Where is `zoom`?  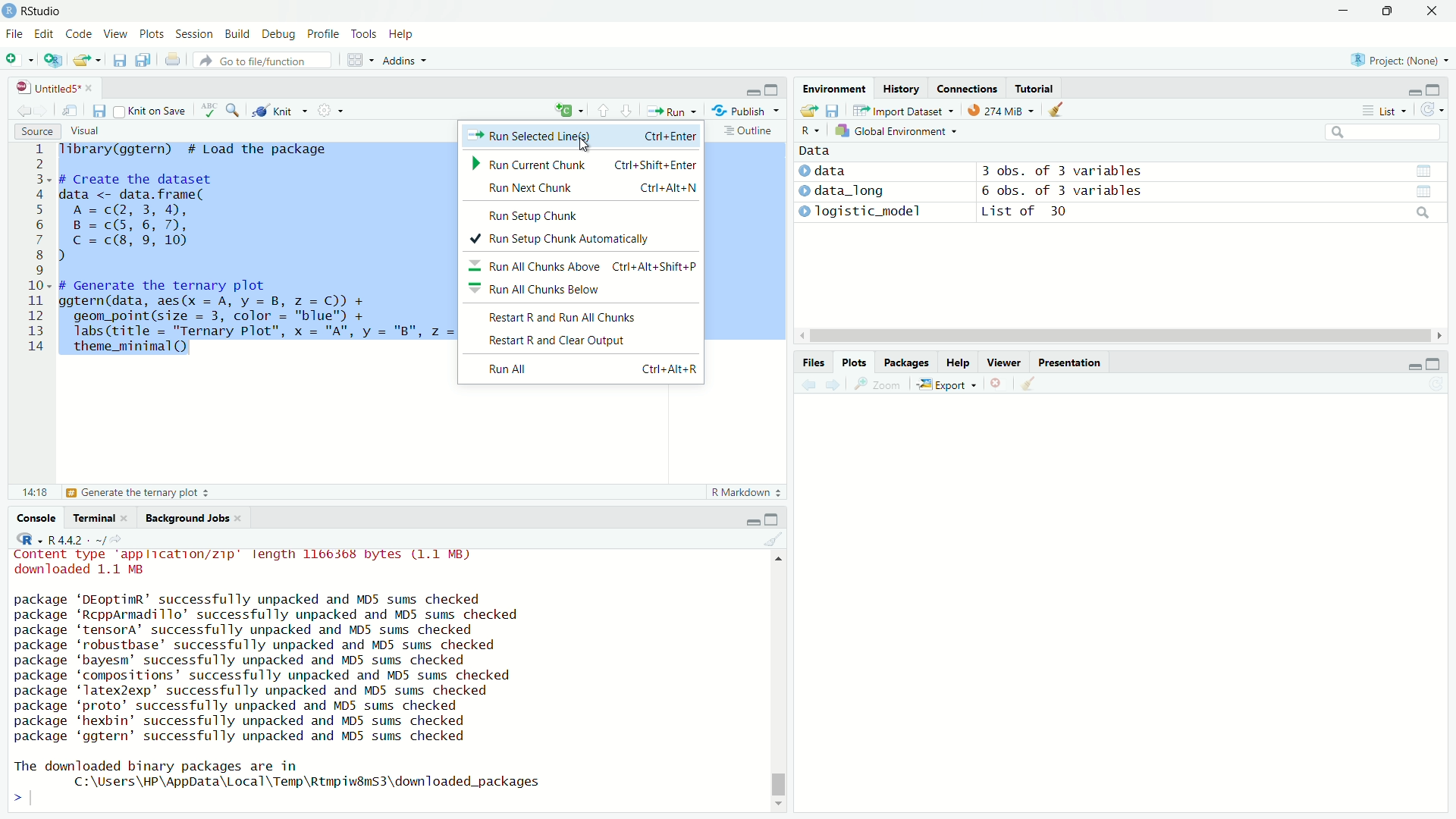 zoom is located at coordinates (880, 388).